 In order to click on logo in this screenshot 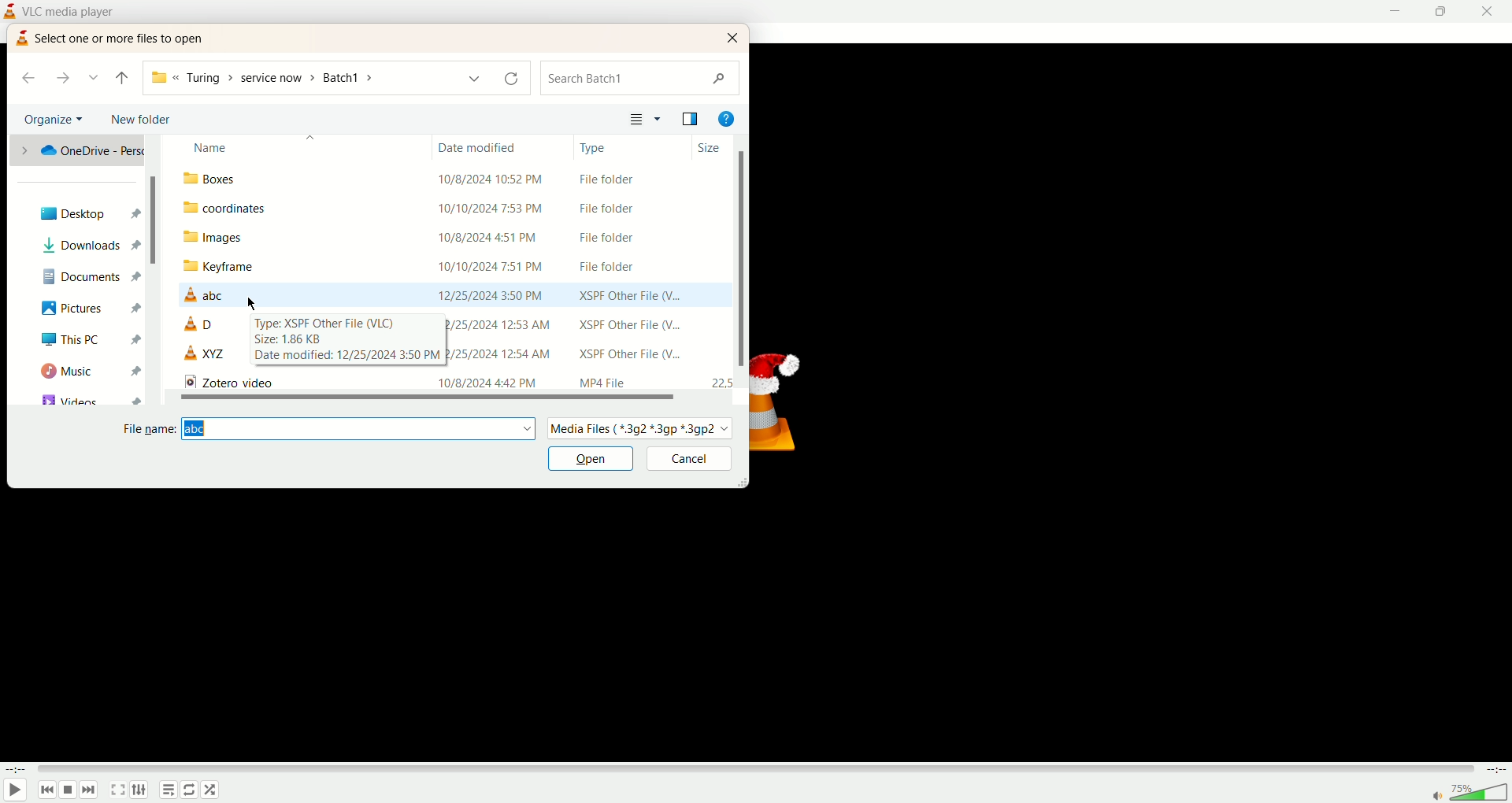, I will do `click(21, 37)`.